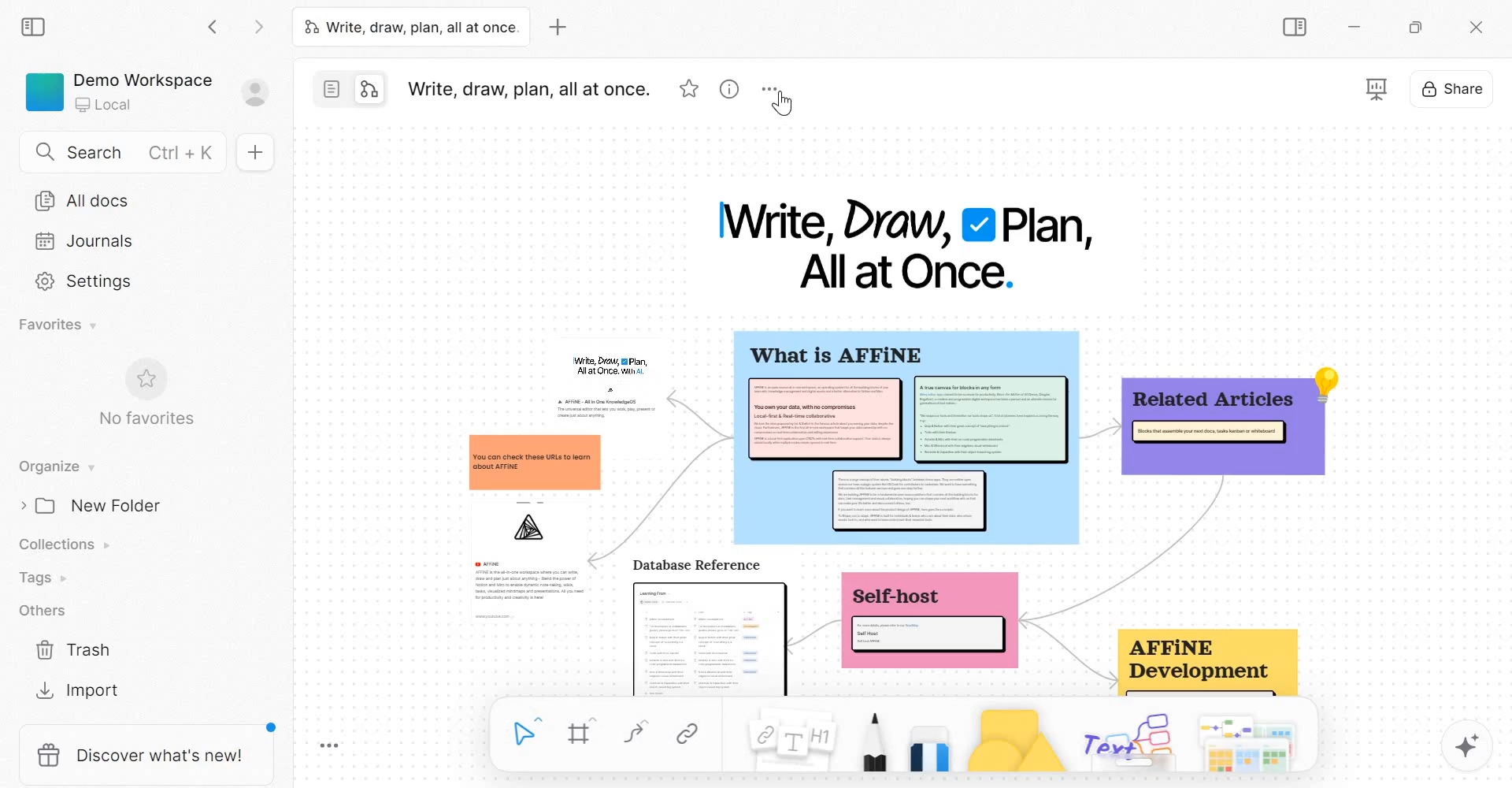 The width and height of the screenshot is (1512, 788). Describe the element at coordinates (41, 611) in the screenshot. I see `Others` at that location.